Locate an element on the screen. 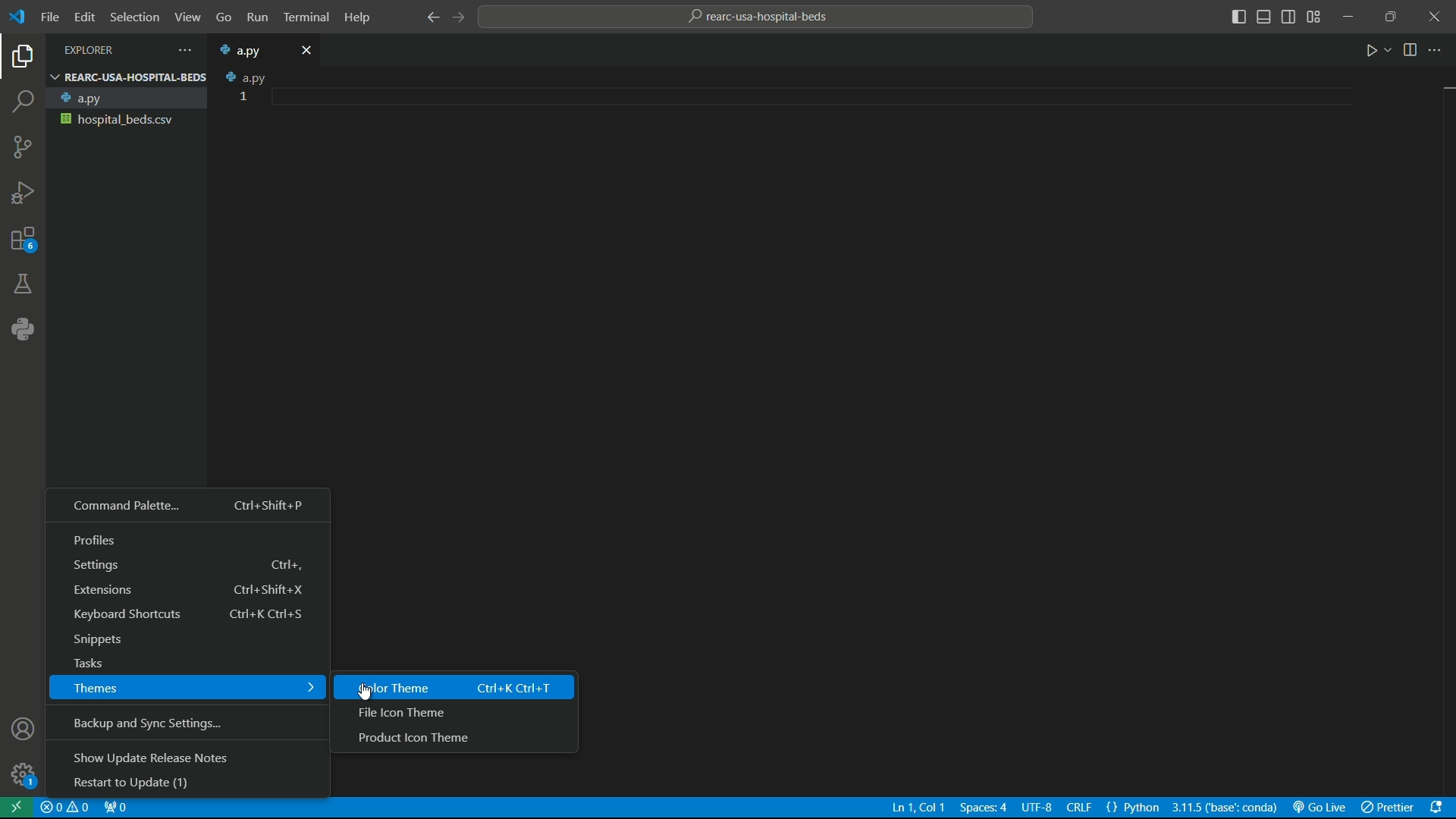 The image size is (1456, 819). command palette is located at coordinates (189, 507).